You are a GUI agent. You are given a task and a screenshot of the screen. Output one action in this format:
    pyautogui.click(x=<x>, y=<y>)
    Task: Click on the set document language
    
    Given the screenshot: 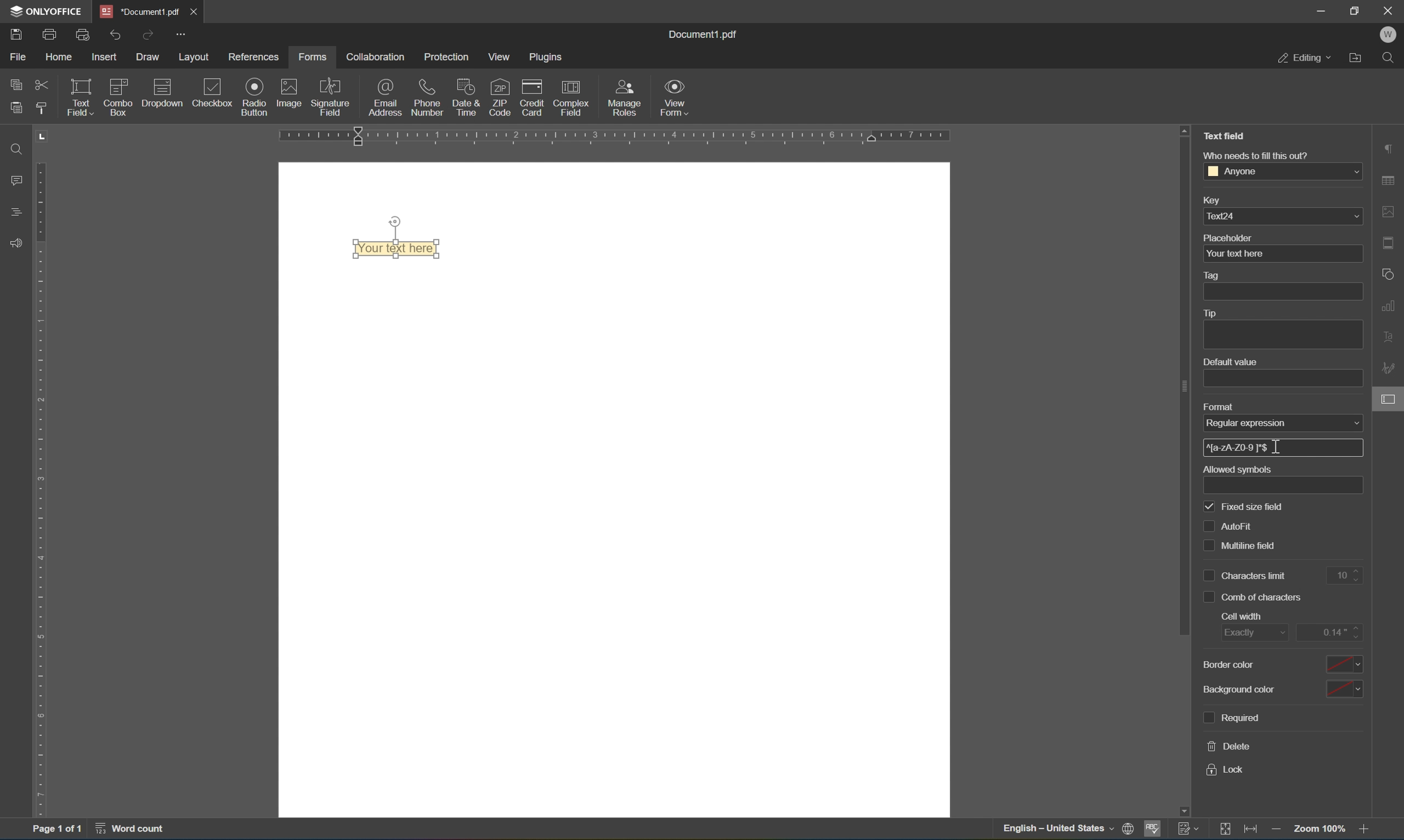 What is the action you would take?
    pyautogui.click(x=1132, y=830)
    